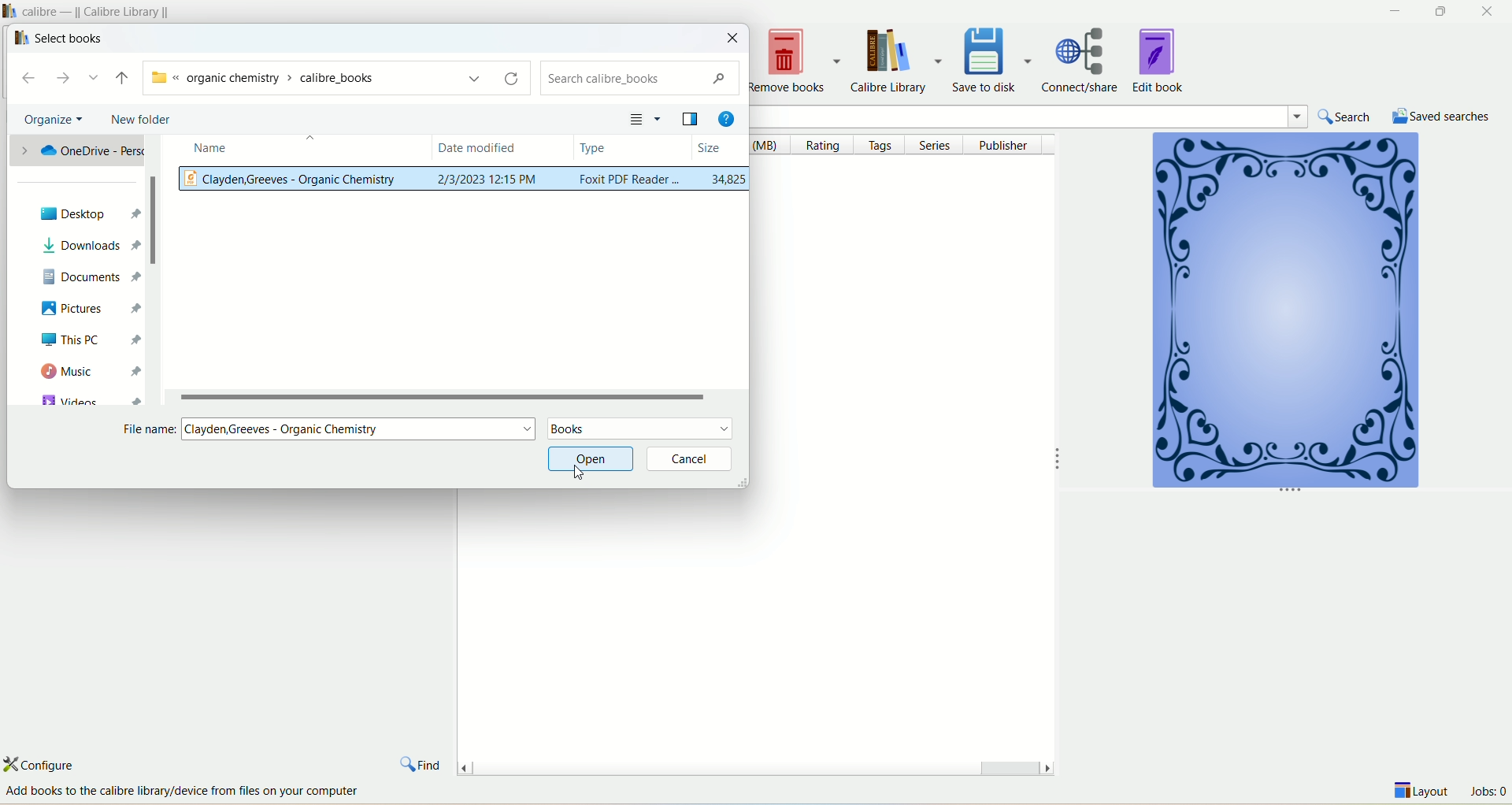 Image resolution: width=1512 pixels, height=805 pixels. Describe the element at coordinates (82, 213) in the screenshot. I see `desktop` at that location.